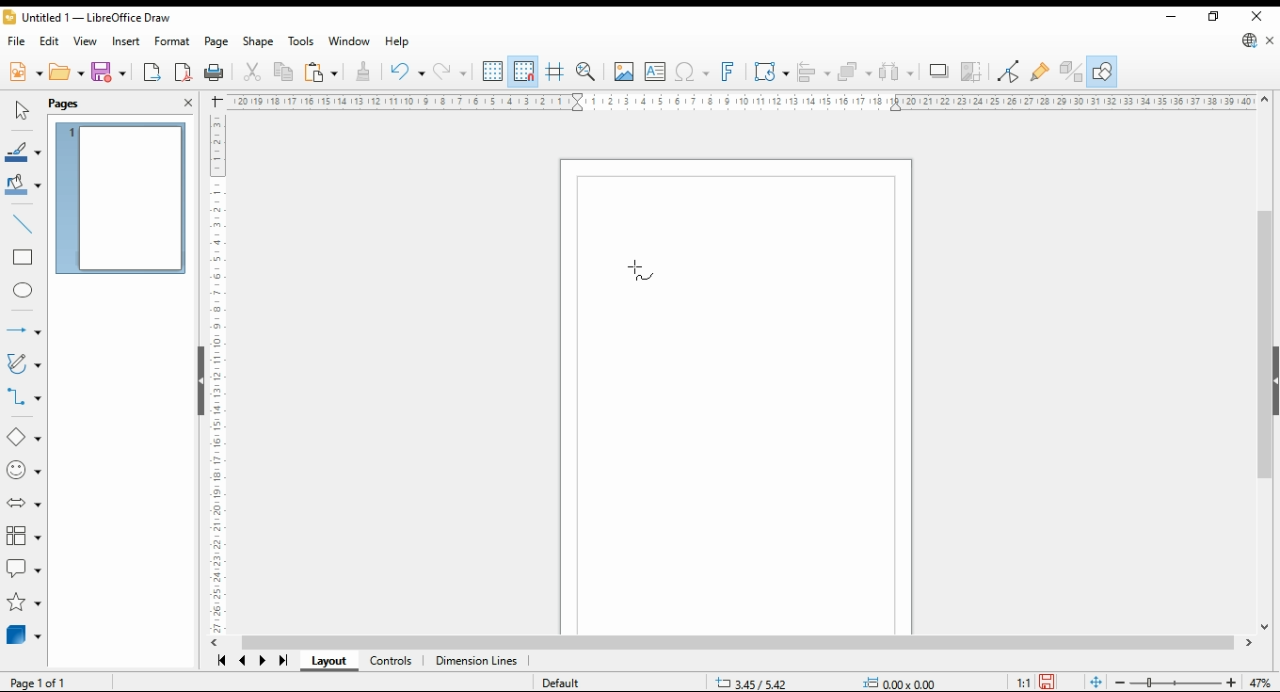 The image size is (1280, 692). What do you see at coordinates (24, 292) in the screenshot?
I see `ellipse` at bounding box center [24, 292].